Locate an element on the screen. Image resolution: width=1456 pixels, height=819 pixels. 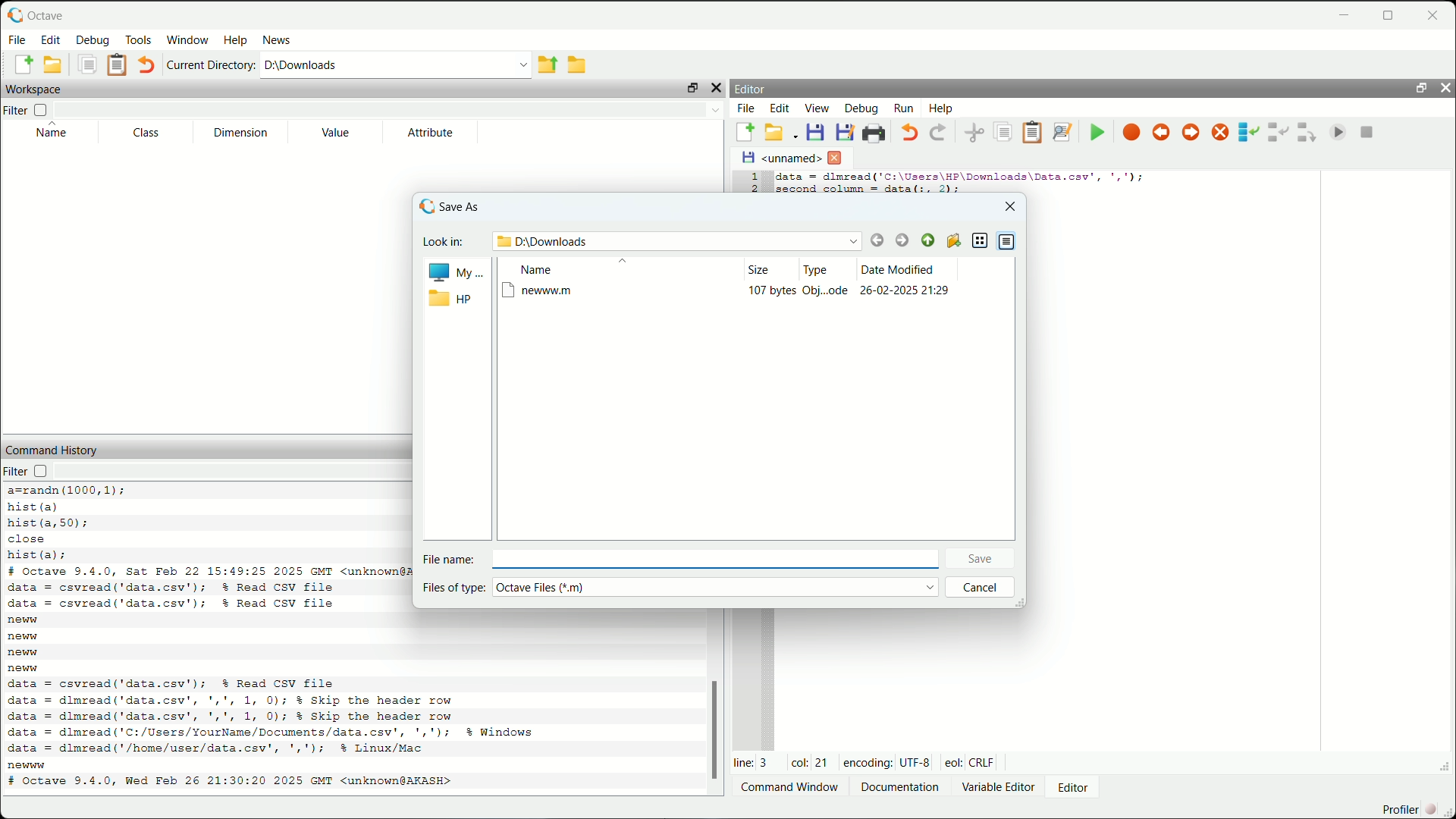
paste is located at coordinates (1032, 132).